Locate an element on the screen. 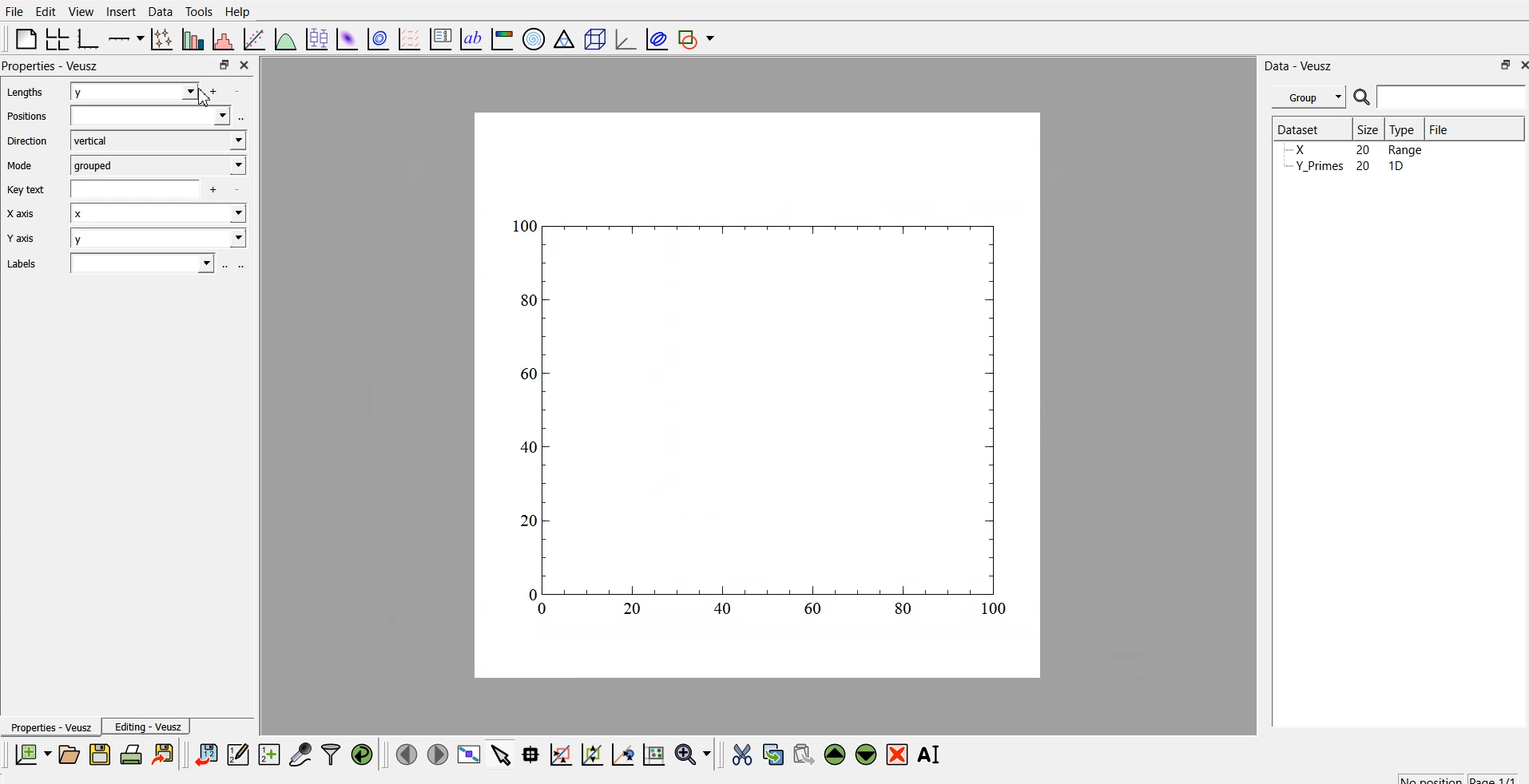  lengths is located at coordinates (24, 93).